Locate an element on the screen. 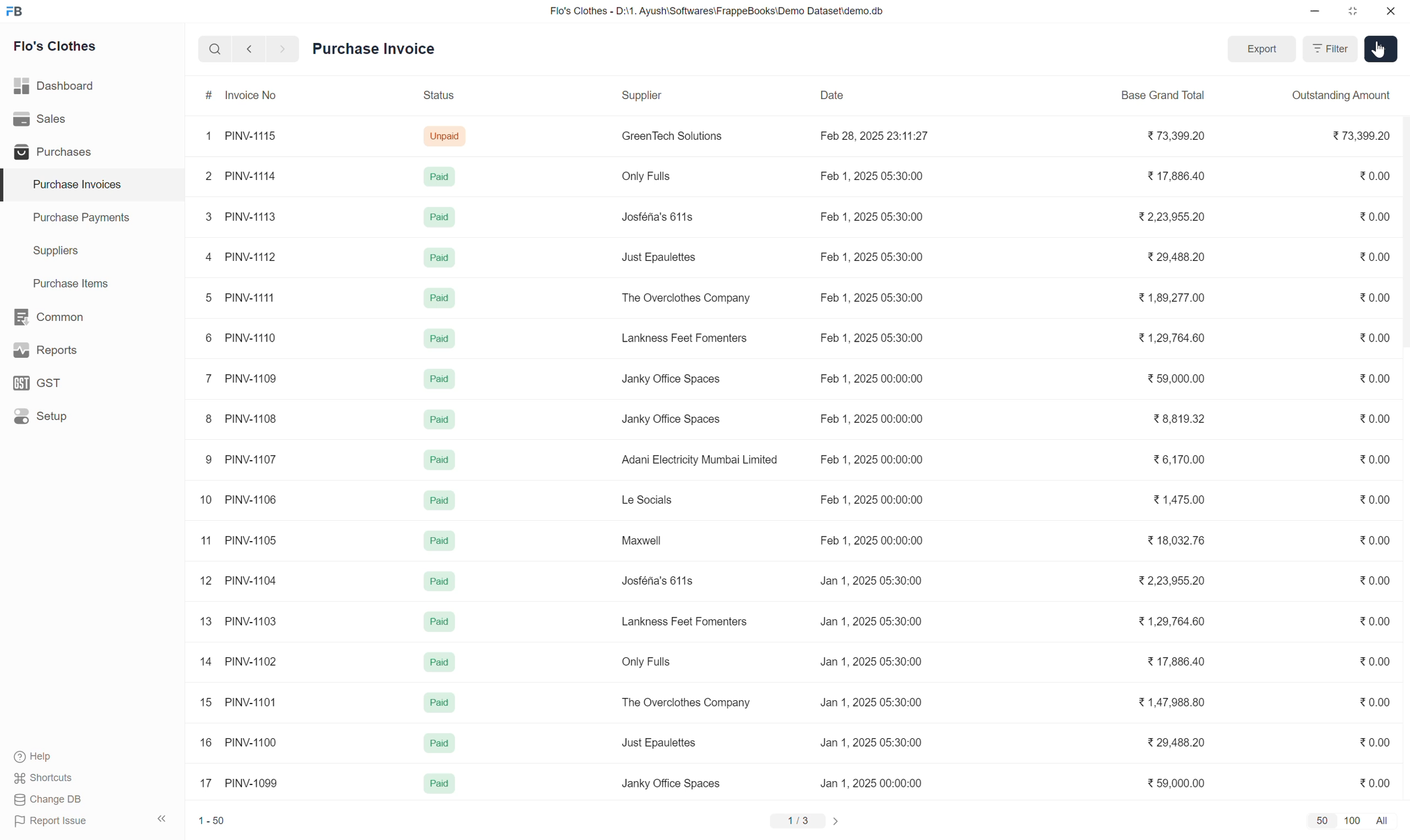 This screenshot has height=840, width=1410. Shortcuts is located at coordinates (45, 779).